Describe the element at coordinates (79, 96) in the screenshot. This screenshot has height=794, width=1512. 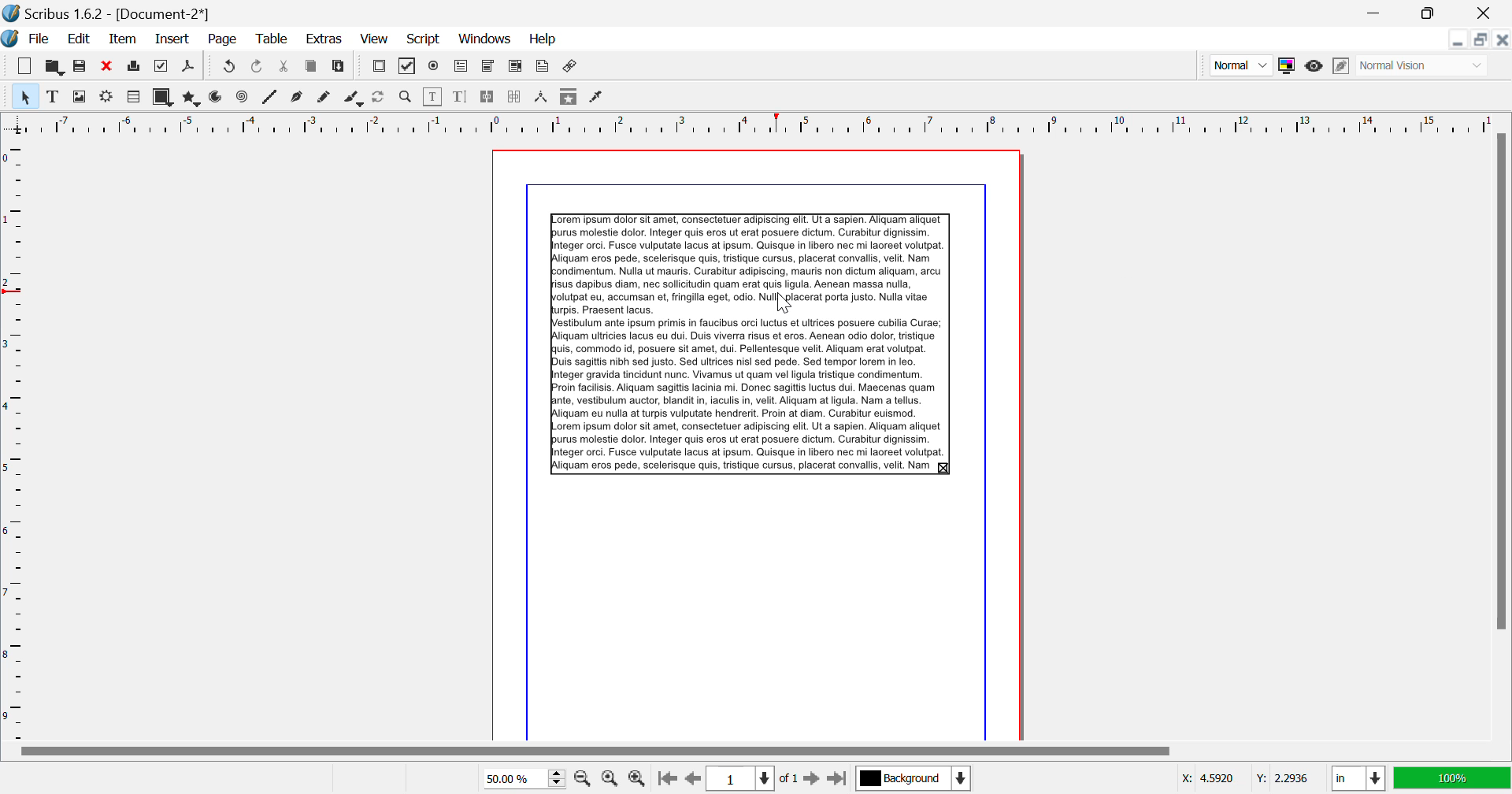
I see `Image Frame` at that location.